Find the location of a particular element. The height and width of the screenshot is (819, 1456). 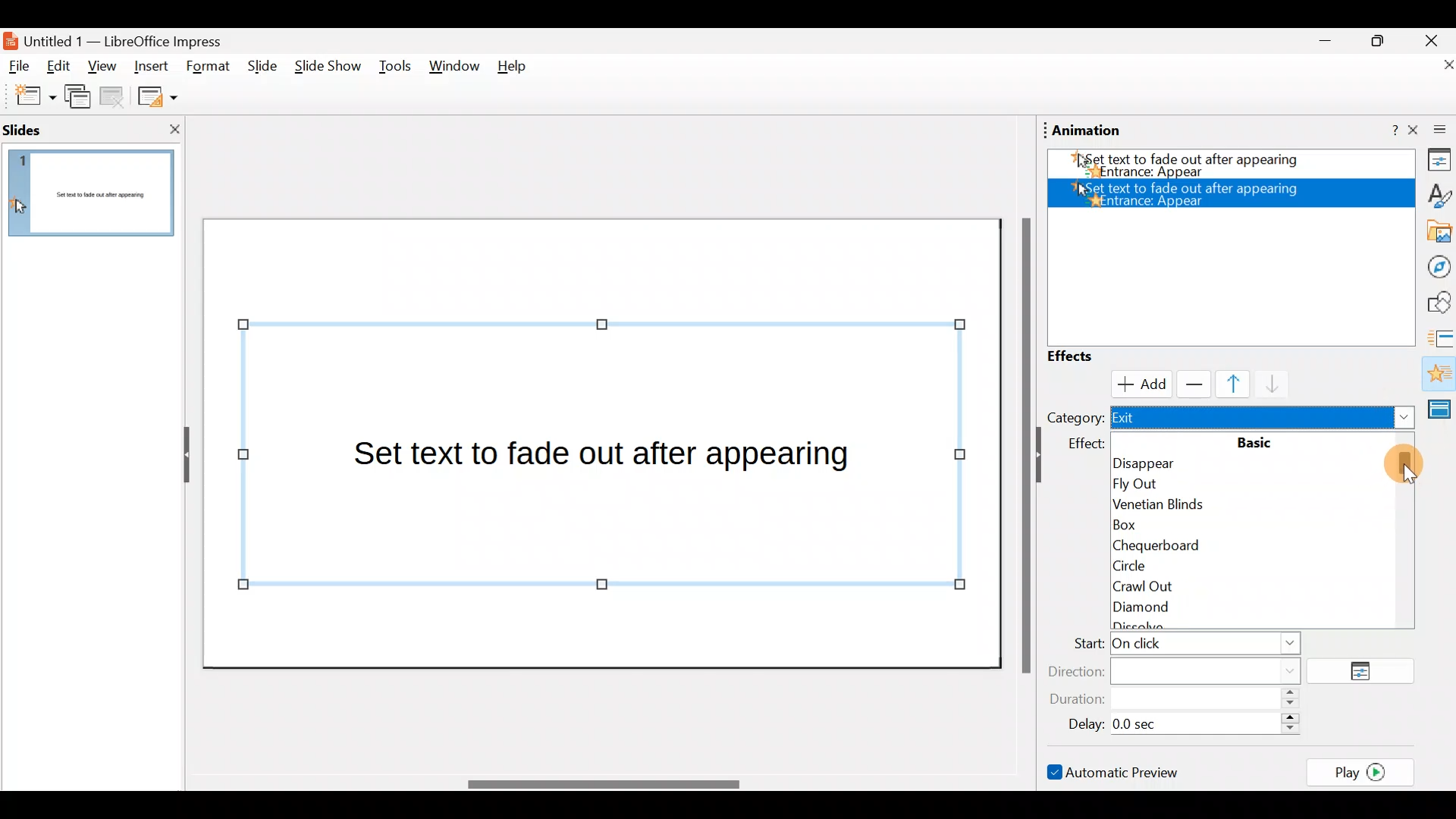

Move up is located at coordinates (1224, 384).